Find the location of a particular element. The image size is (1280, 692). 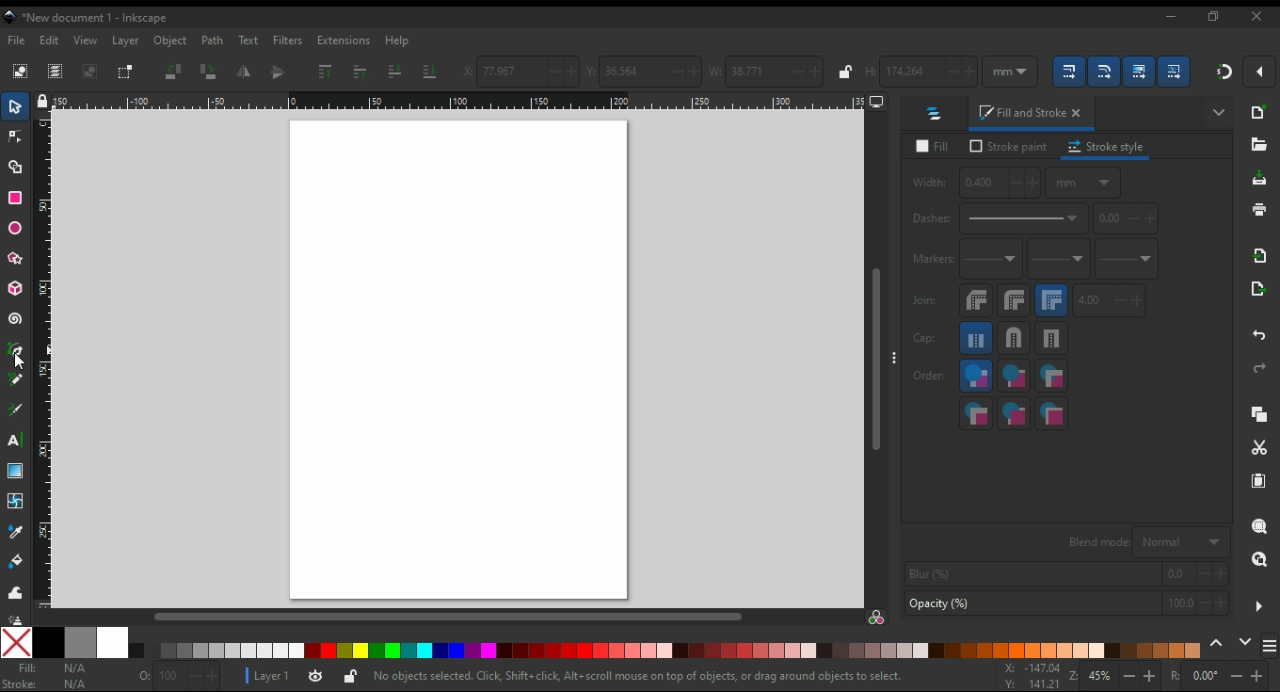

pen tool is located at coordinates (17, 354).